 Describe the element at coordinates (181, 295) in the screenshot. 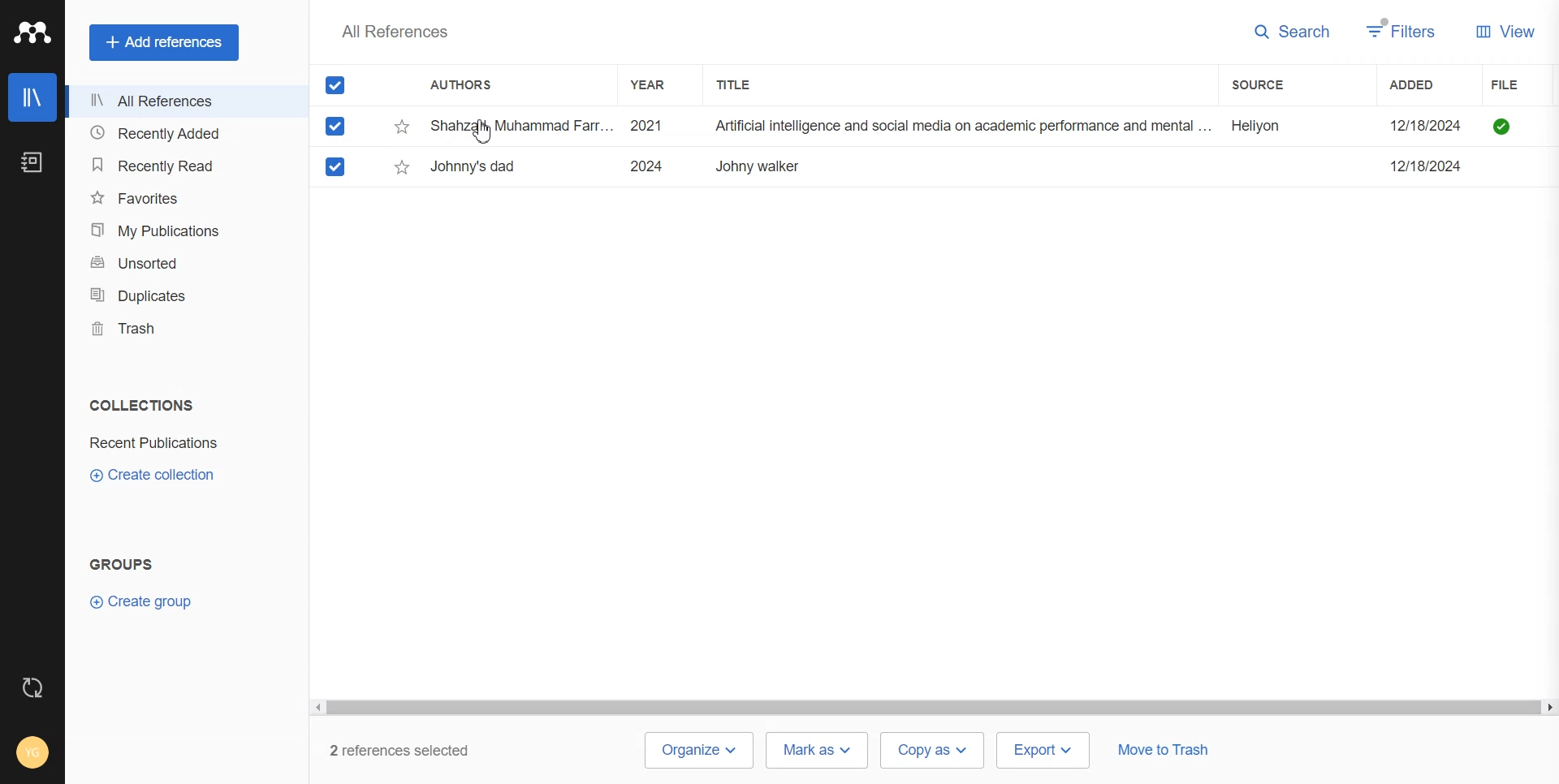

I see `Duplicates` at that location.